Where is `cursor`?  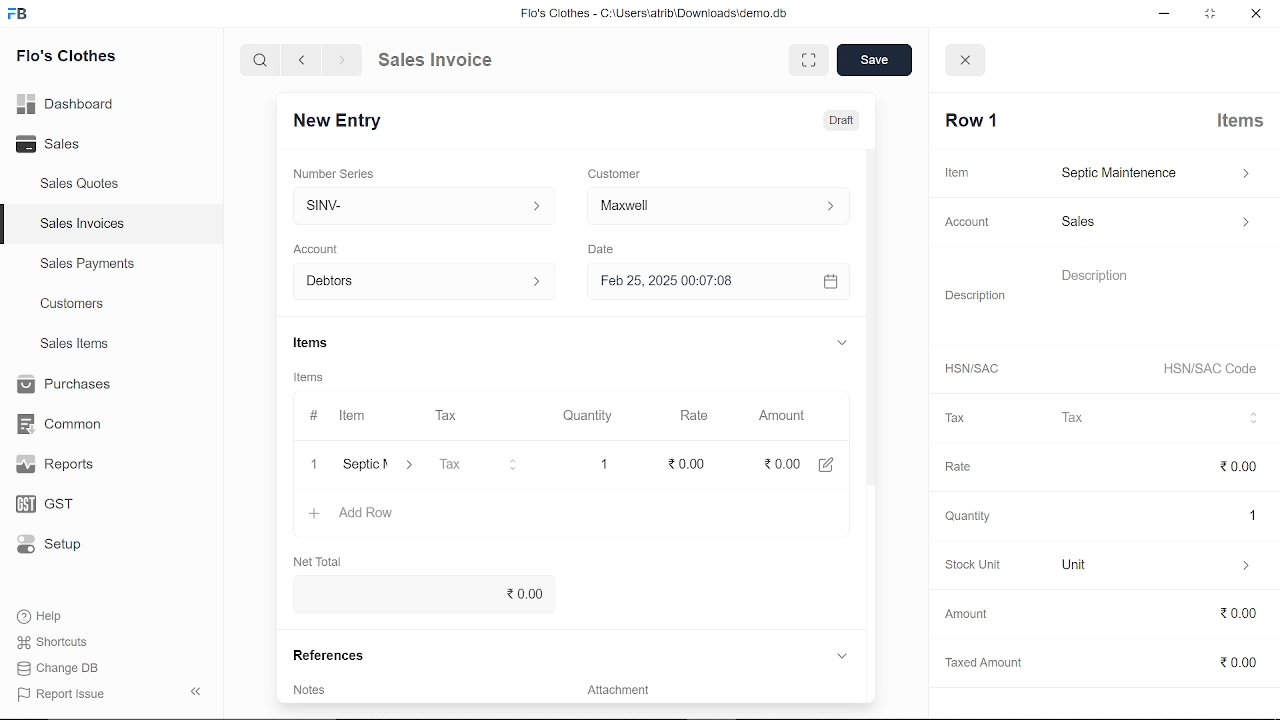 cursor is located at coordinates (1243, 469).